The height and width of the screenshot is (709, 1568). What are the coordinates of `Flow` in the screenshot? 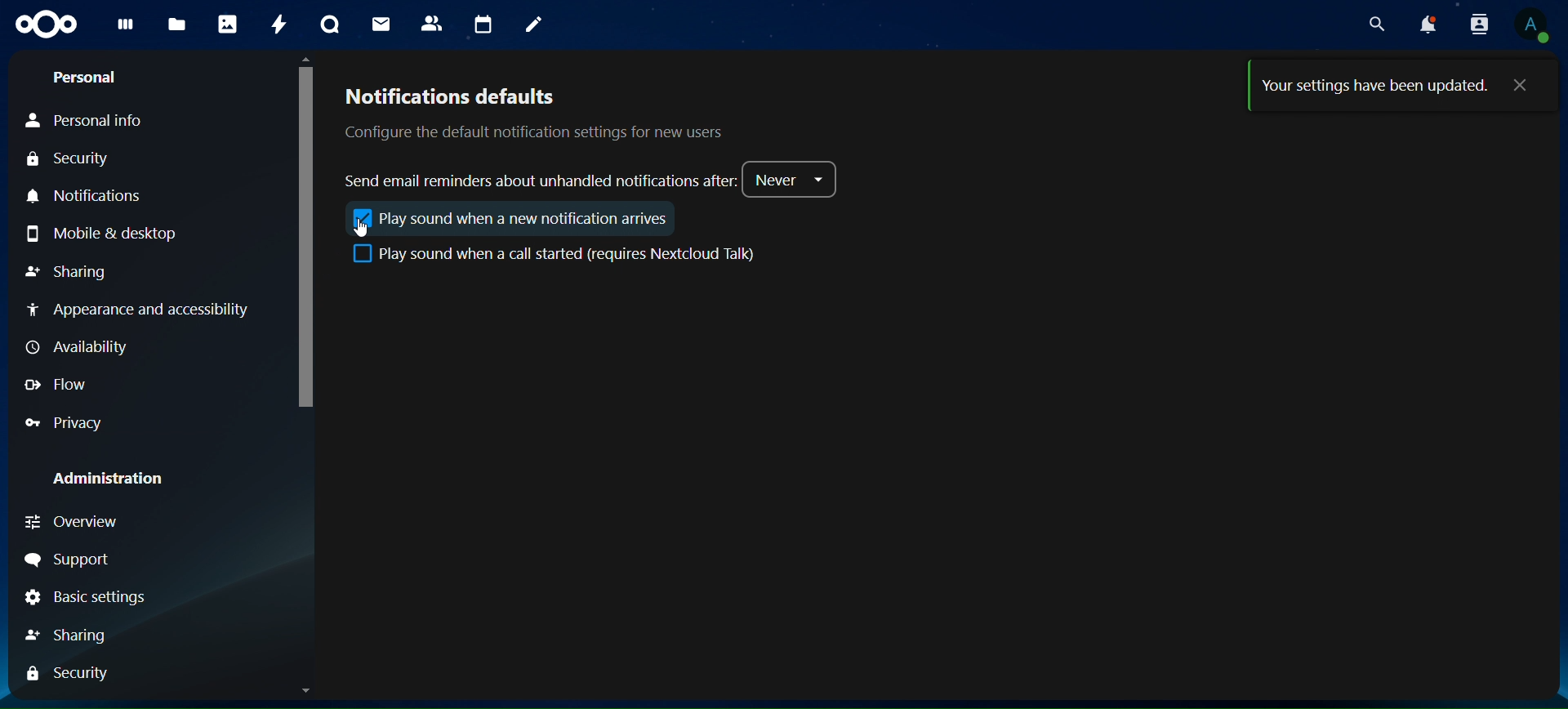 It's located at (56, 386).